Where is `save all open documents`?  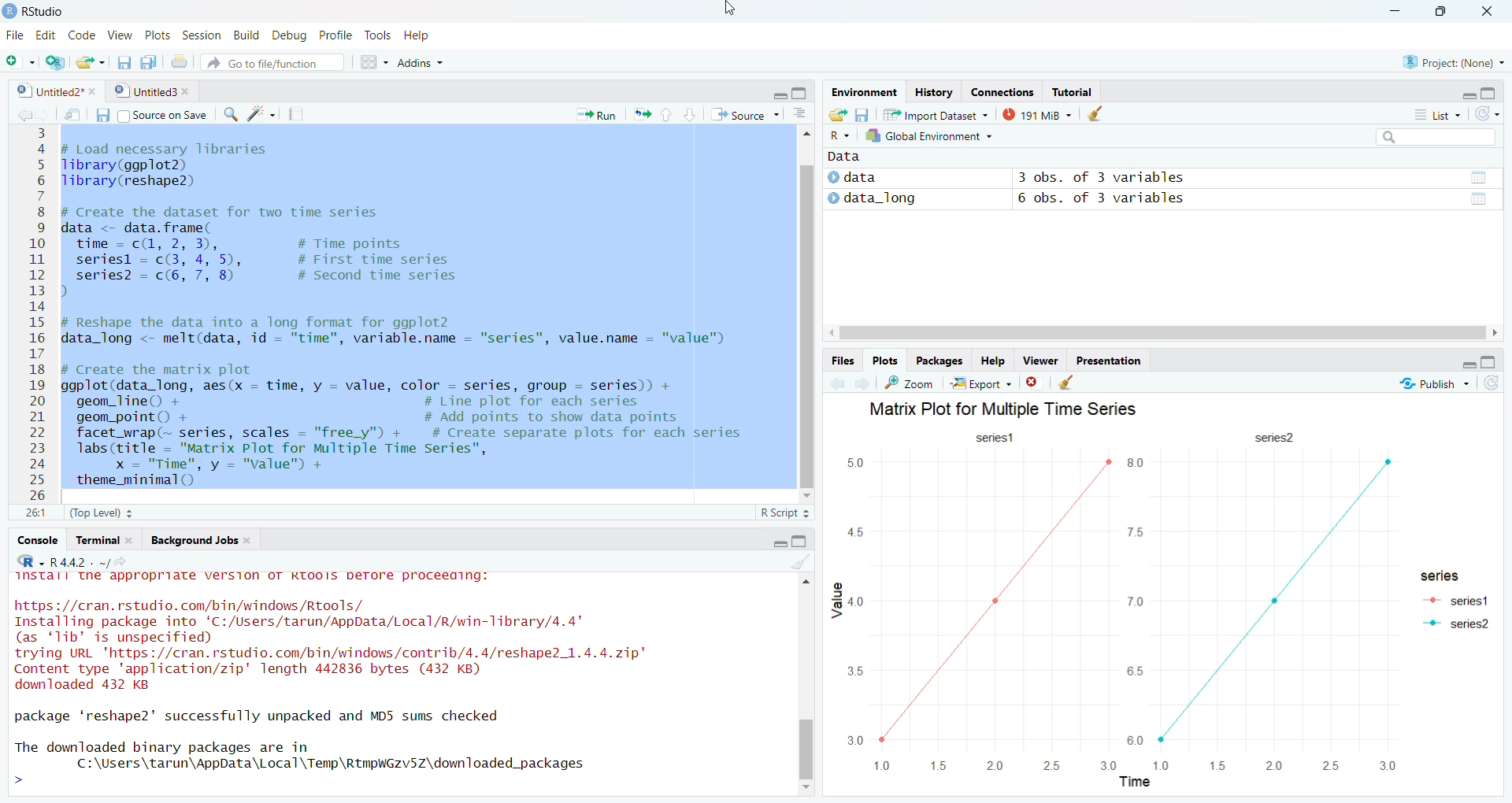
save all open documents is located at coordinates (148, 61).